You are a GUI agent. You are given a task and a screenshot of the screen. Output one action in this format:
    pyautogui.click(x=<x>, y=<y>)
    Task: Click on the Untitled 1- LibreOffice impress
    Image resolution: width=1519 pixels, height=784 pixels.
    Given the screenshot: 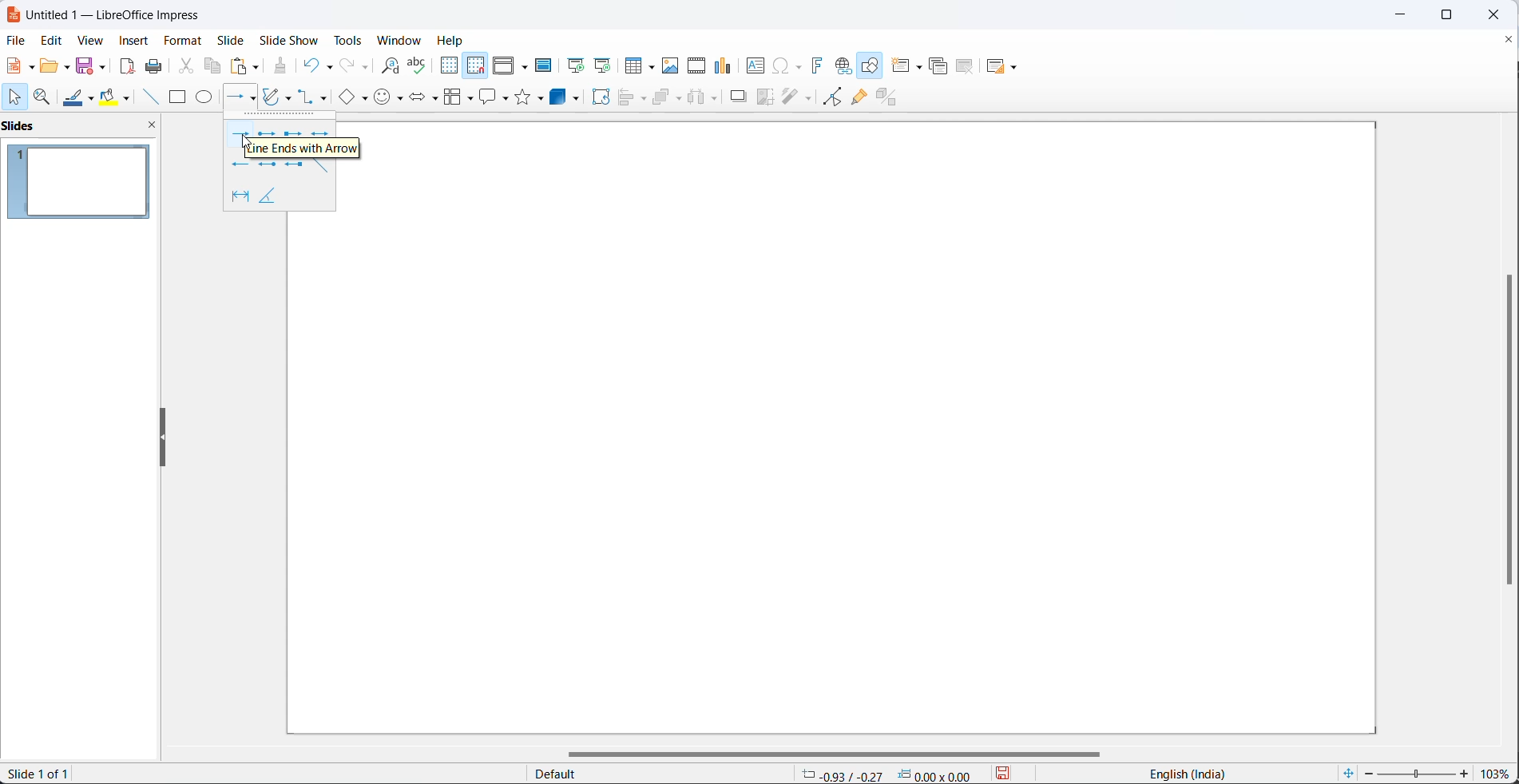 What is the action you would take?
    pyautogui.click(x=113, y=14)
    